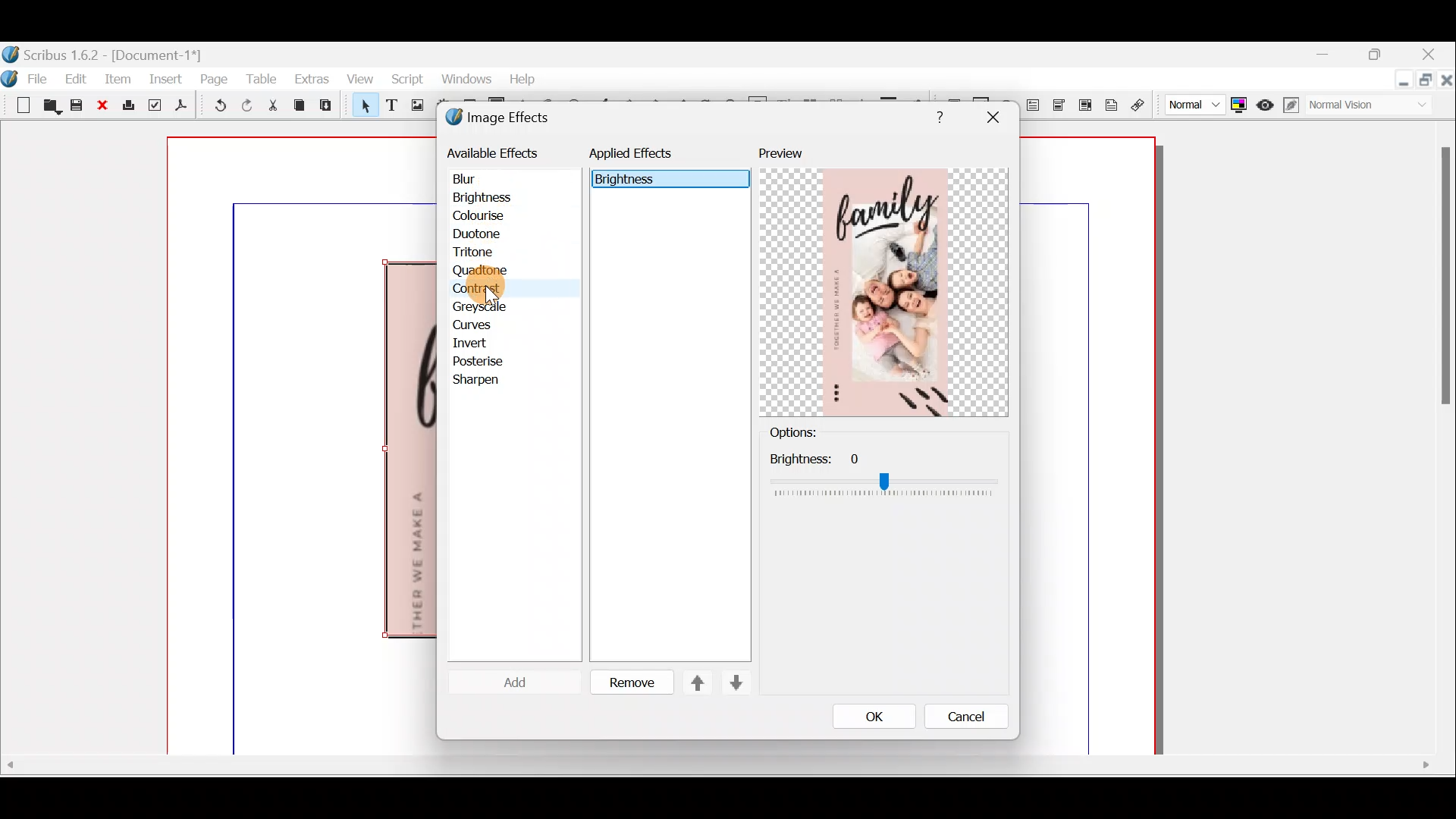 This screenshot has height=819, width=1456. What do you see at coordinates (734, 682) in the screenshot?
I see `Move down` at bounding box center [734, 682].